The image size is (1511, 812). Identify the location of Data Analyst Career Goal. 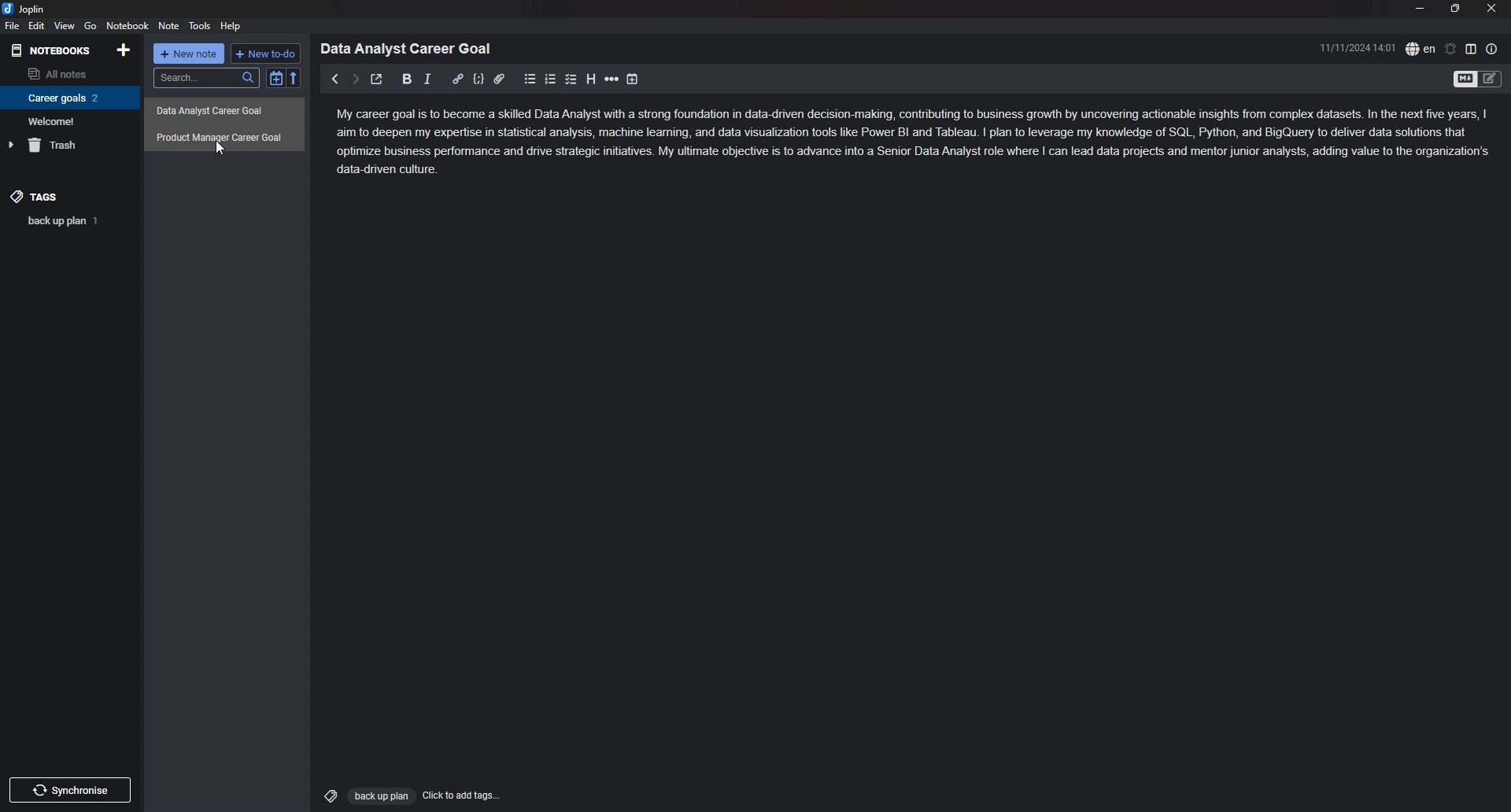
(224, 112).